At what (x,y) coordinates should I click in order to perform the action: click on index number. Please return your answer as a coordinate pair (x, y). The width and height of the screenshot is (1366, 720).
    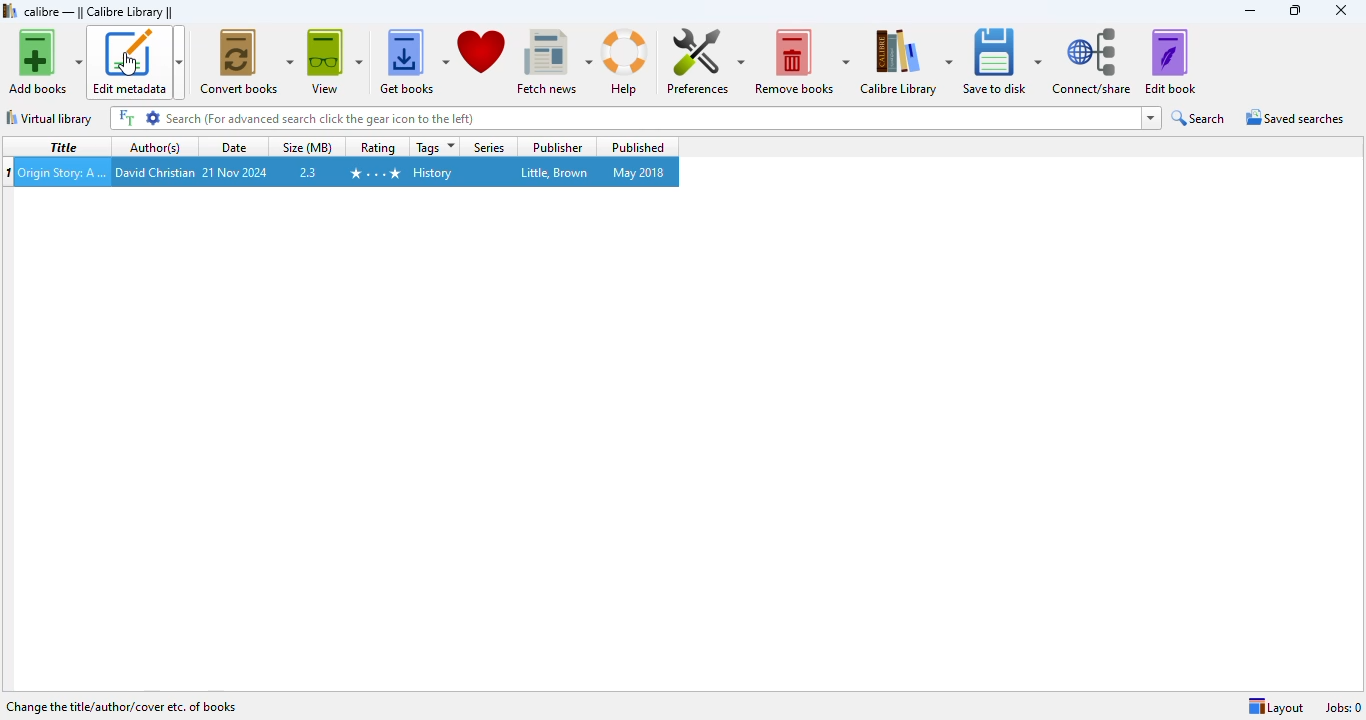
    Looking at the image, I should click on (9, 172).